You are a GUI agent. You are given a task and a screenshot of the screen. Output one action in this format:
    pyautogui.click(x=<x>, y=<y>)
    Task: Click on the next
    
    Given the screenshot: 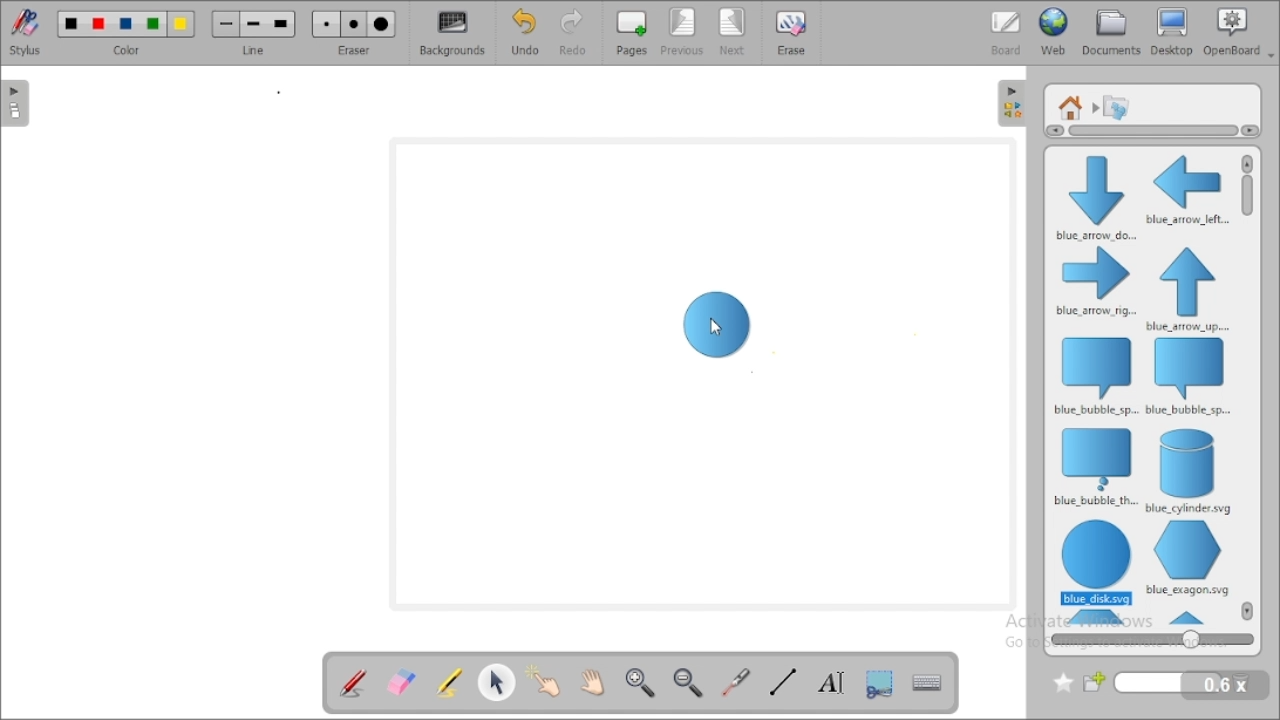 What is the action you would take?
    pyautogui.click(x=734, y=32)
    